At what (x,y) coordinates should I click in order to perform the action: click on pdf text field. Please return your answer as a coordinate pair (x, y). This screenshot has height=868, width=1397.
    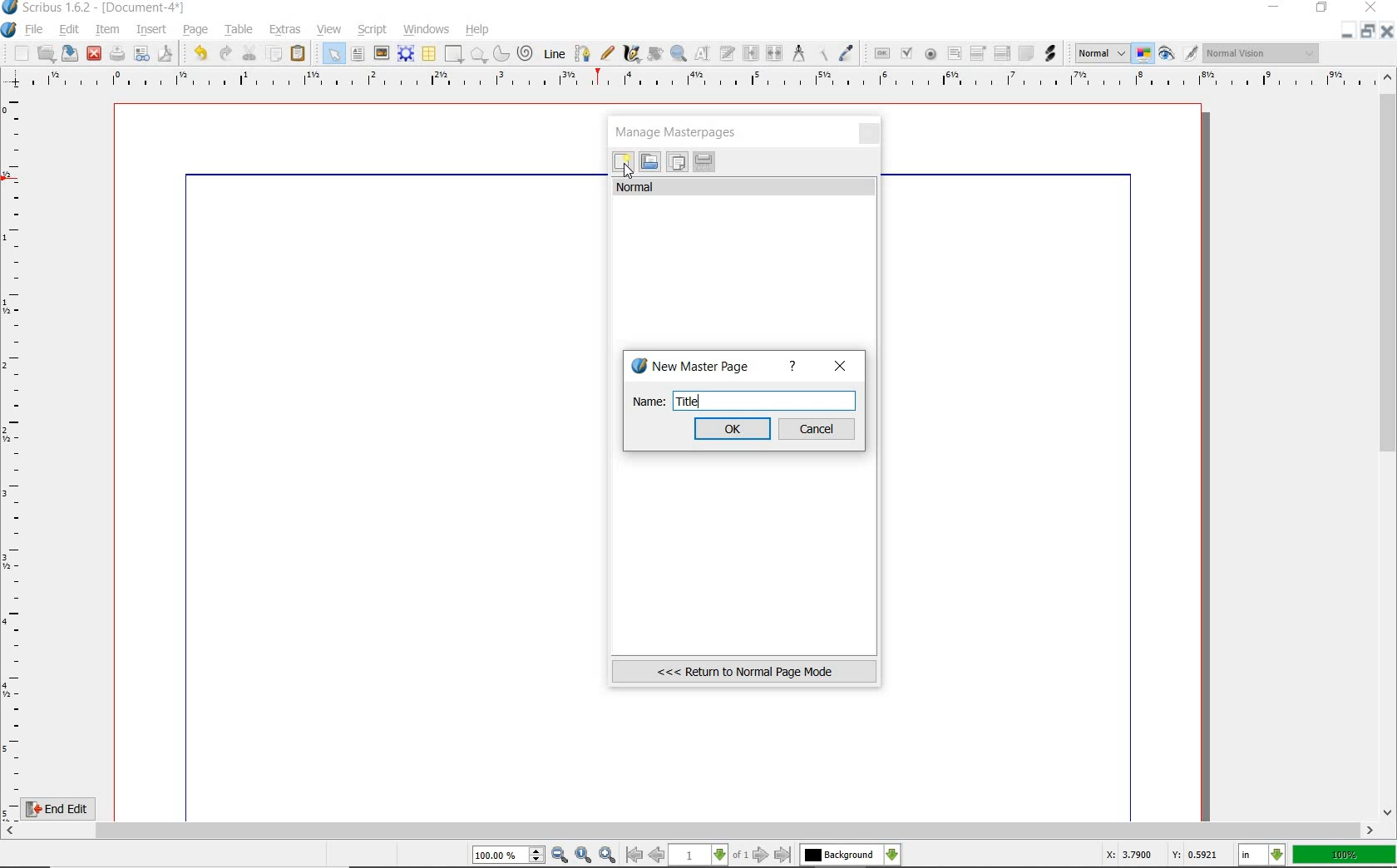
    Looking at the image, I should click on (954, 54).